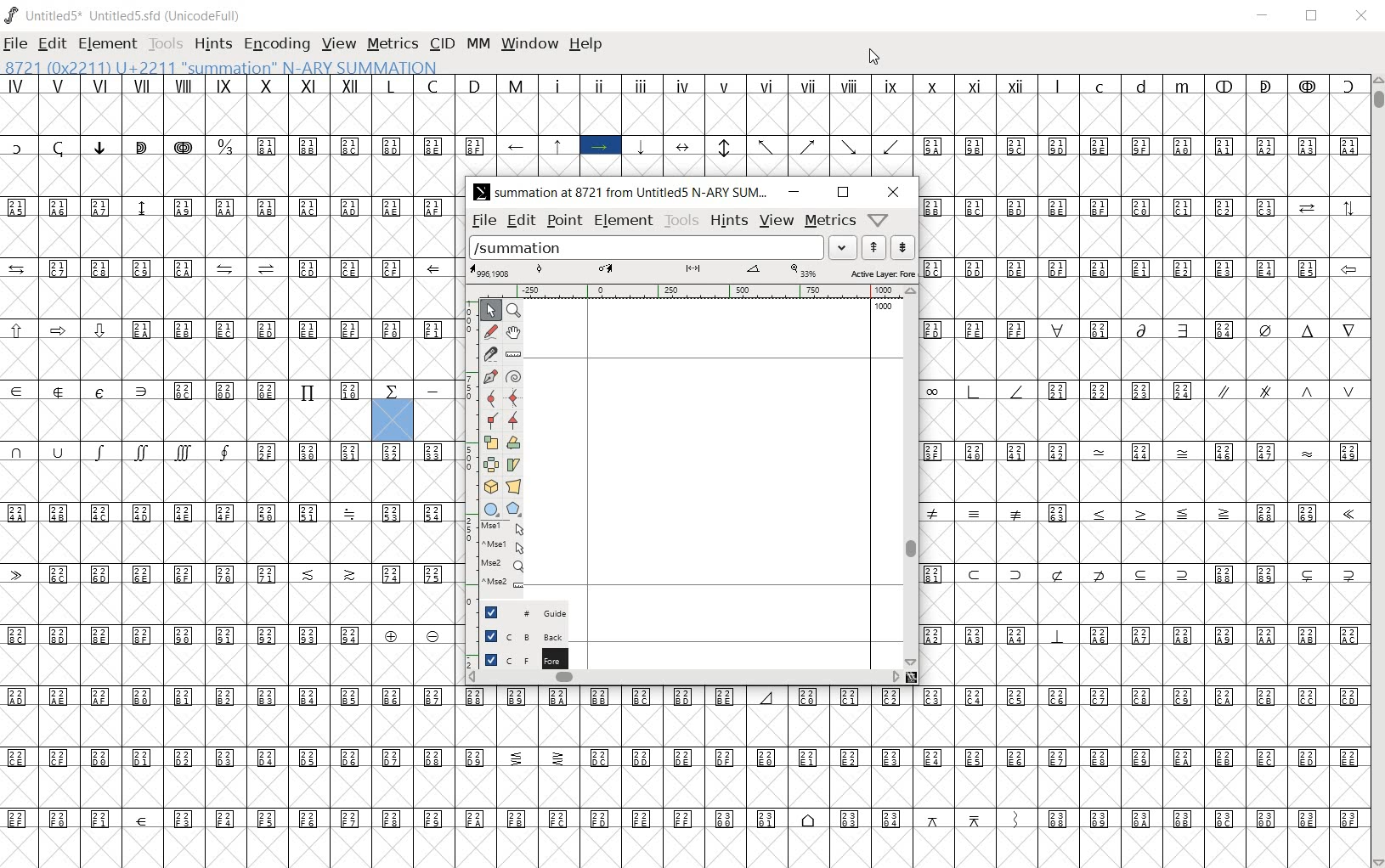 This screenshot has height=868, width=1385. I want to click on rotate the selection in 3D and project back to plane, so click(491, 486).